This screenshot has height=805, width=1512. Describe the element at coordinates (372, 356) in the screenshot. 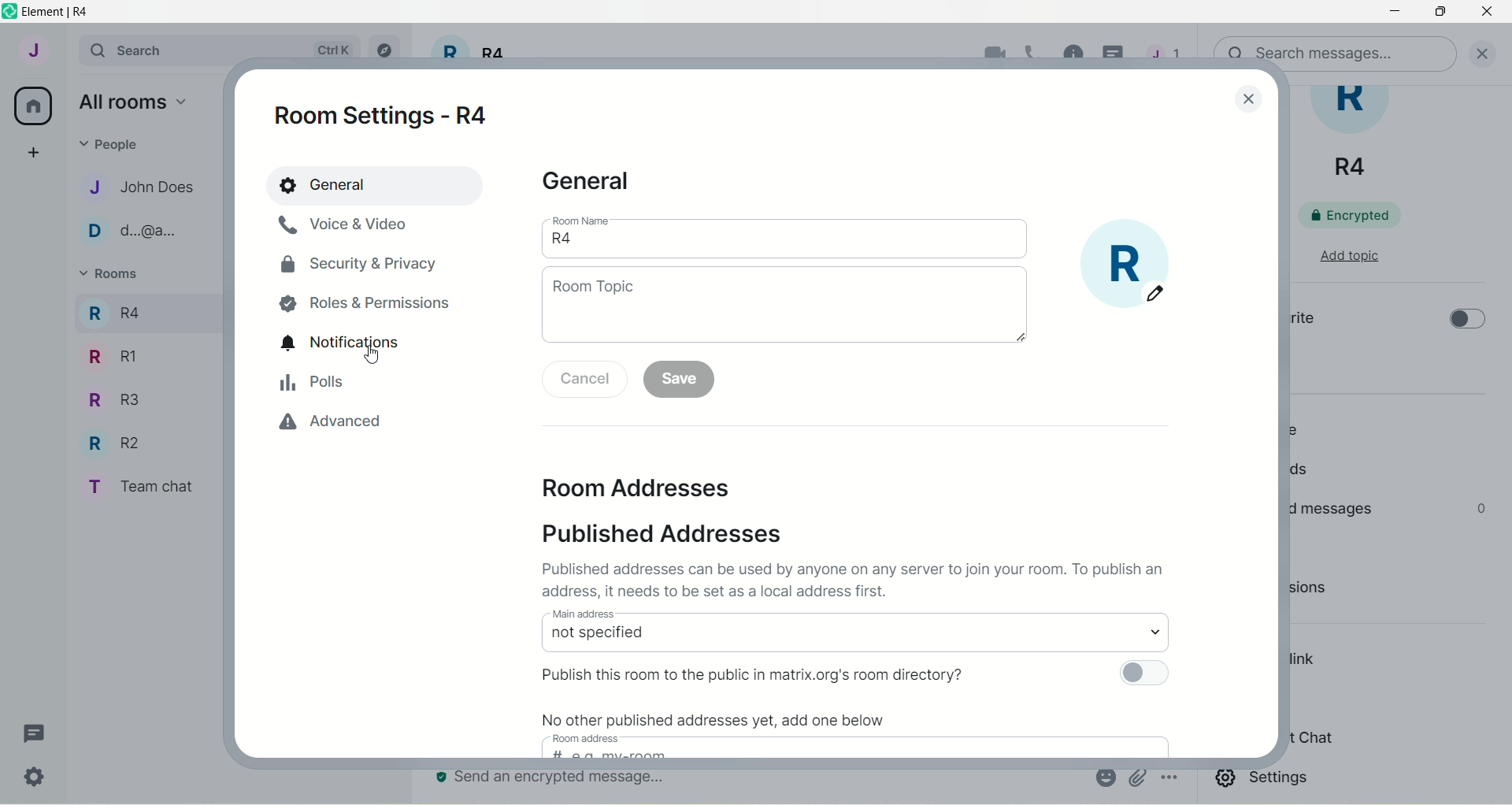

I see `Cursor` at that location.